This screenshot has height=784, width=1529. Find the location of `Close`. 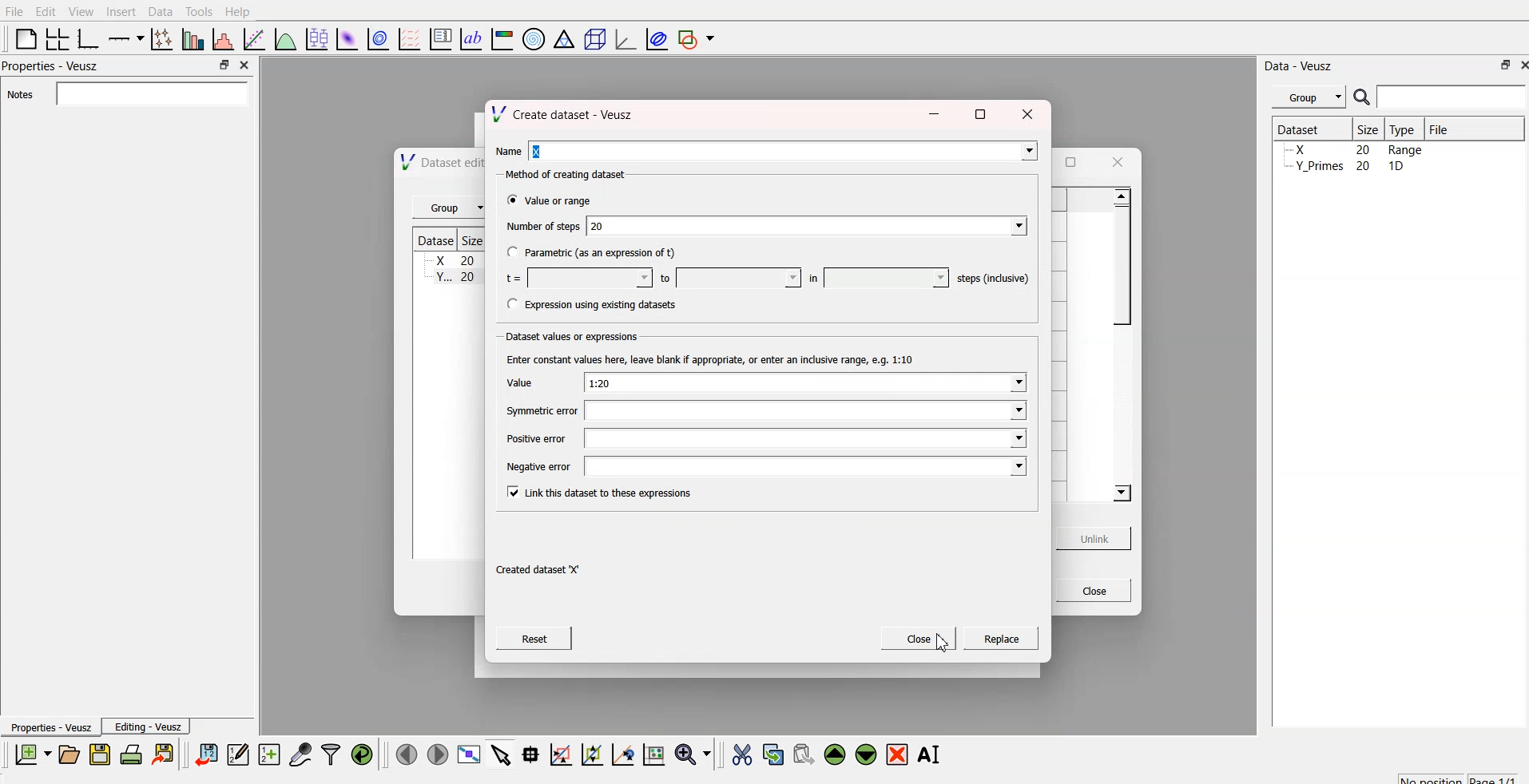

Close is located at coordinates (1092, 592).